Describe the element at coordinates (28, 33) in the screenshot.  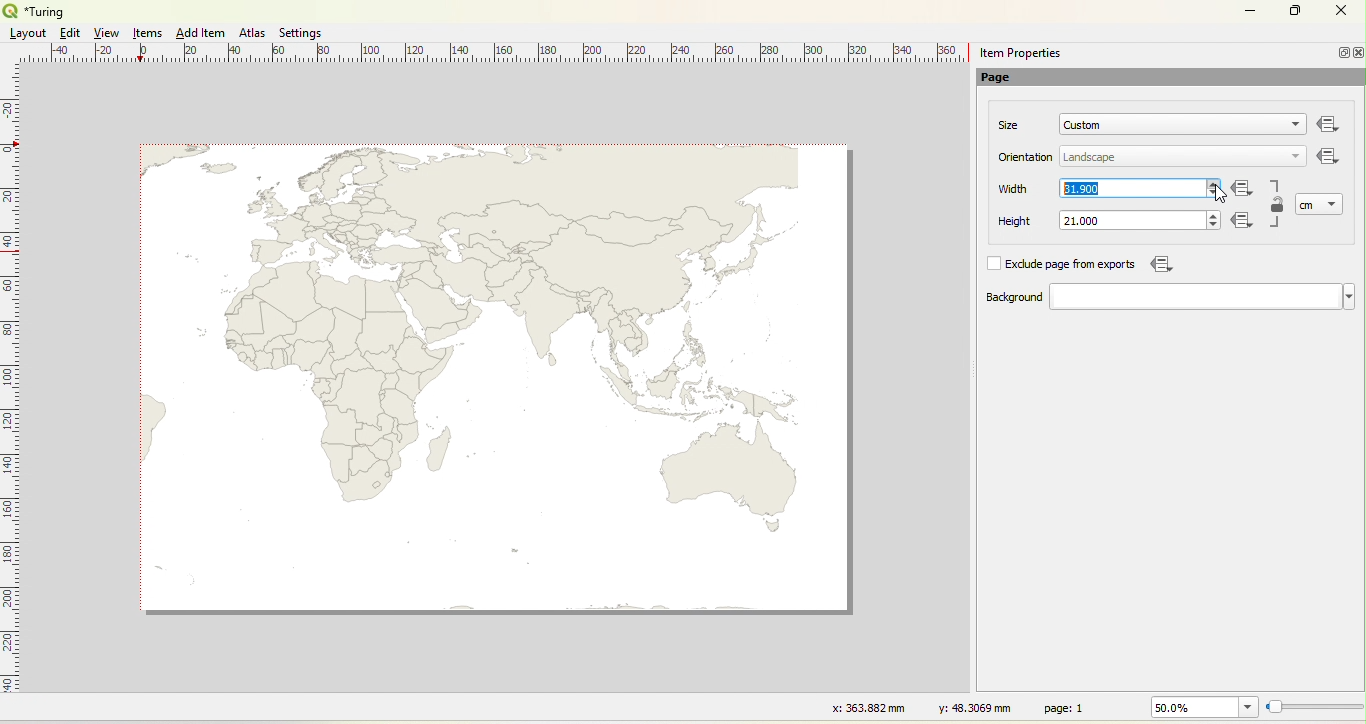
I see `Layout` at that location.